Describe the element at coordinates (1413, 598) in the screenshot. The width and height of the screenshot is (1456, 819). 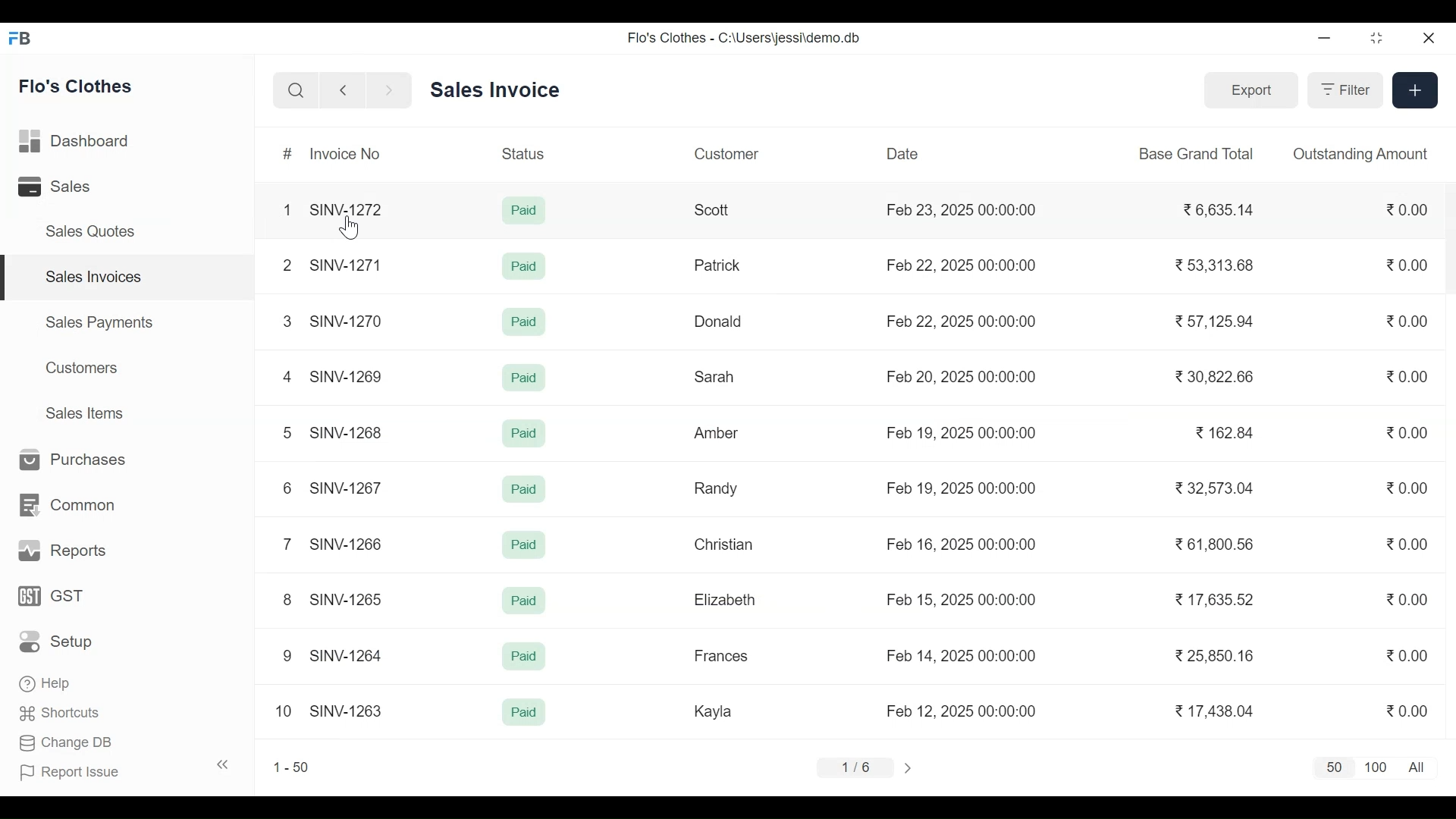
I see `0.00` at that location.